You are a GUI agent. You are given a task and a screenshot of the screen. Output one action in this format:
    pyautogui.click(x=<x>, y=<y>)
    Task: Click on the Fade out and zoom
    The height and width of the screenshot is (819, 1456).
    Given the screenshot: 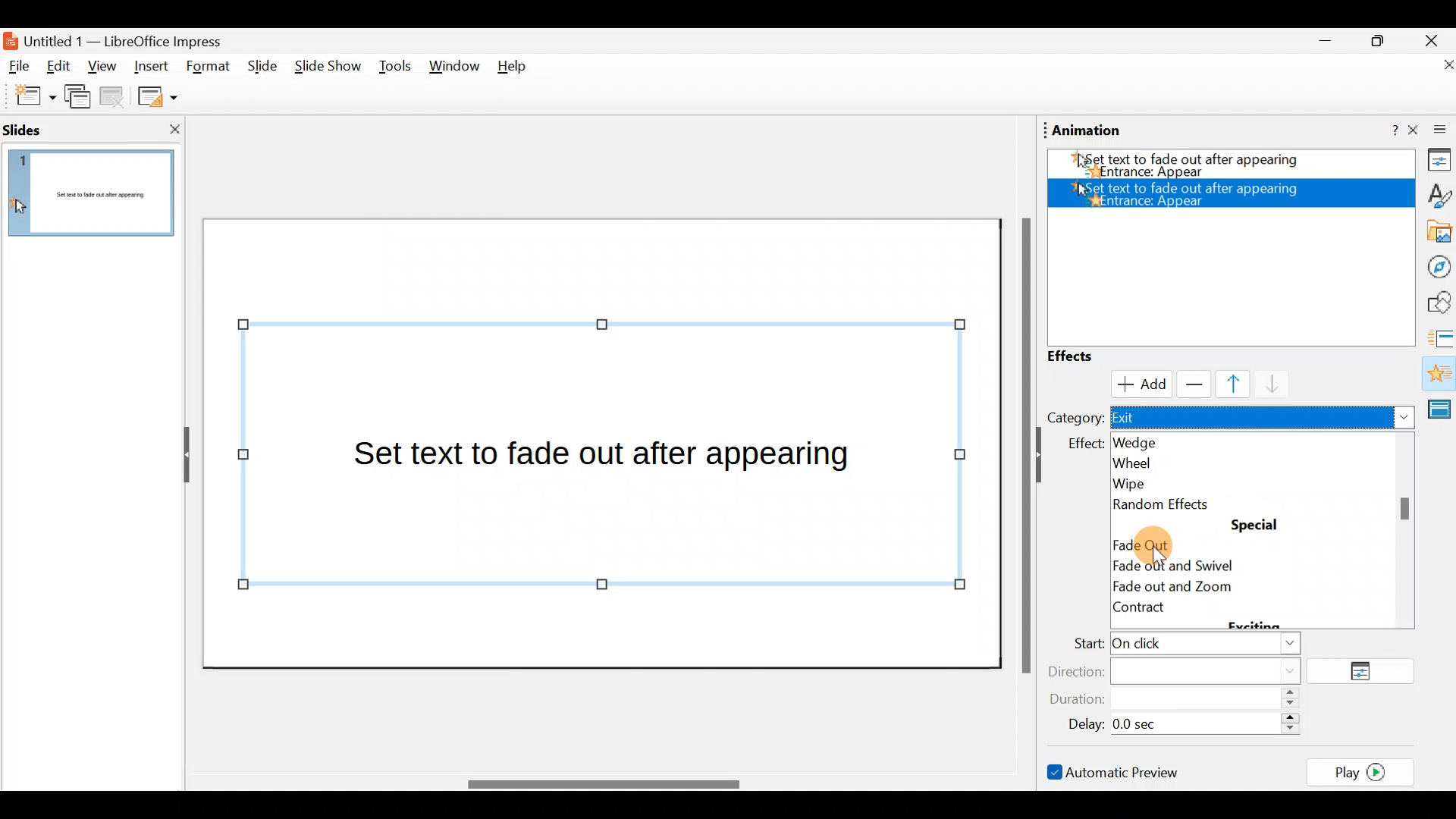 What is the action you would take?
    pyautogui.click(x=1194, y=588)
    